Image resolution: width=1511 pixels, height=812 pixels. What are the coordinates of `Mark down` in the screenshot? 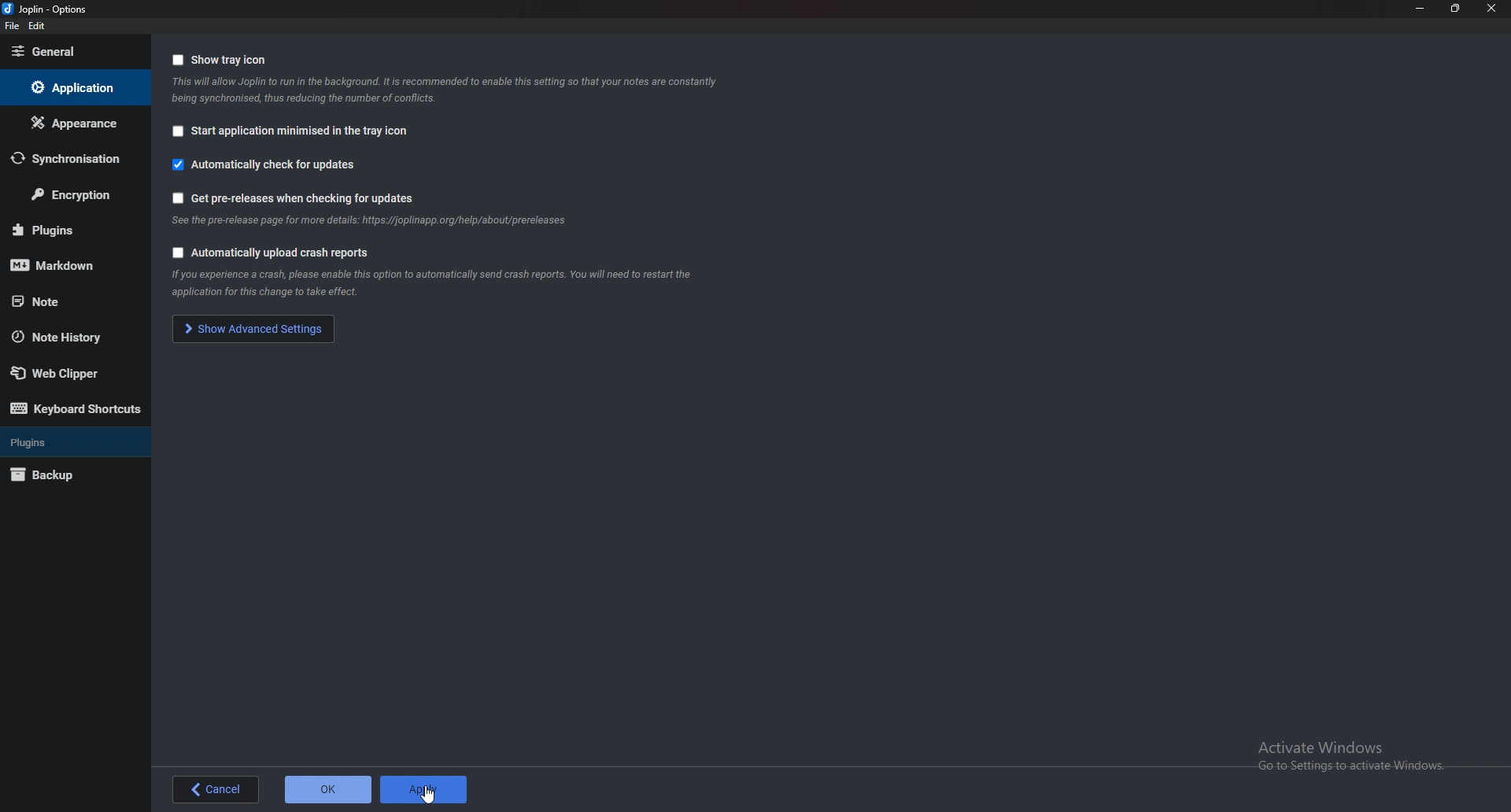 It's located at (68, 264).